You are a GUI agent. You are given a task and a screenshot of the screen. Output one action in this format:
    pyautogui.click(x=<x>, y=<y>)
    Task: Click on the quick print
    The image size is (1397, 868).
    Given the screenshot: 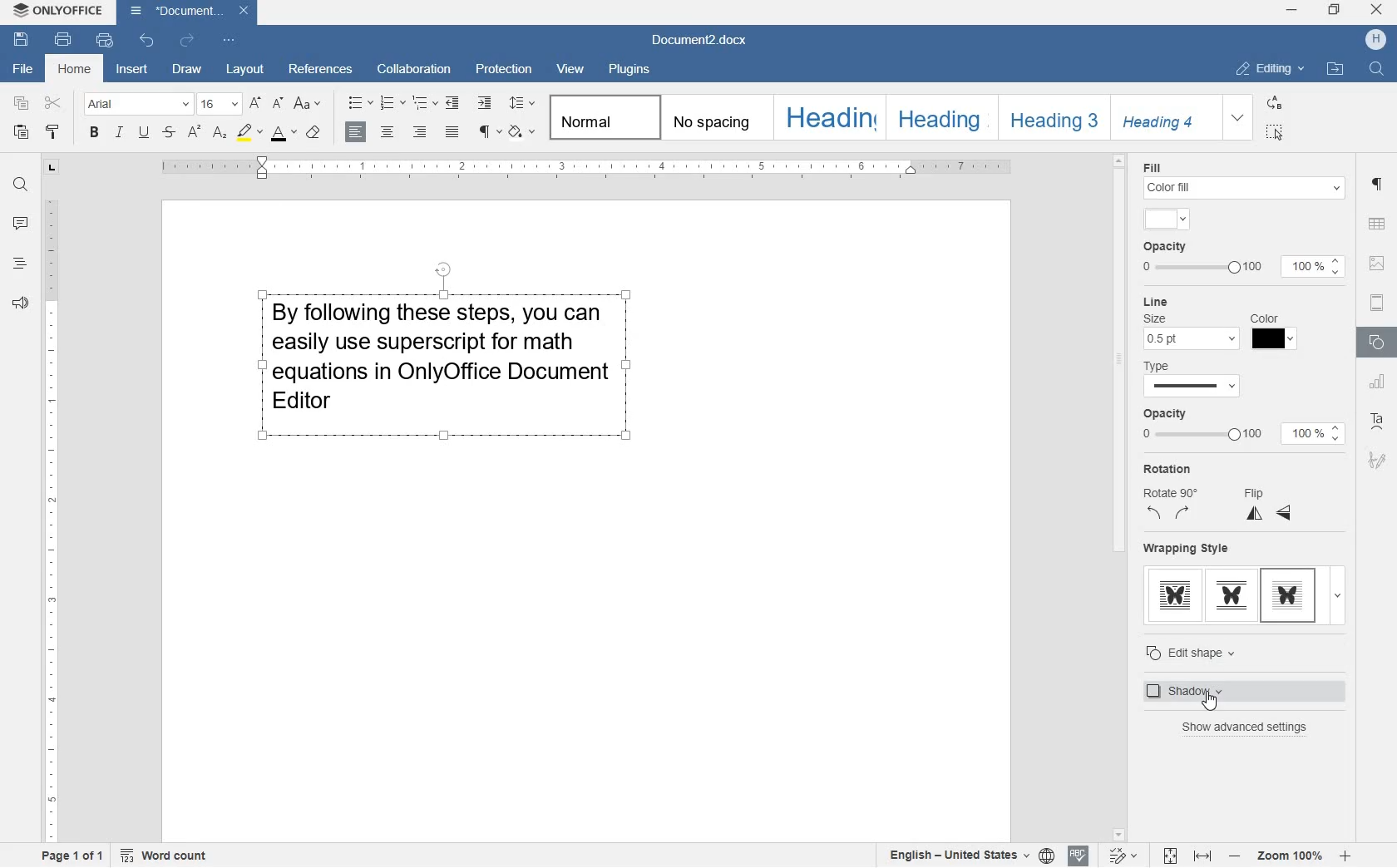 What is the action you would take?
    pyautogui.click(x=105, y=40)
    